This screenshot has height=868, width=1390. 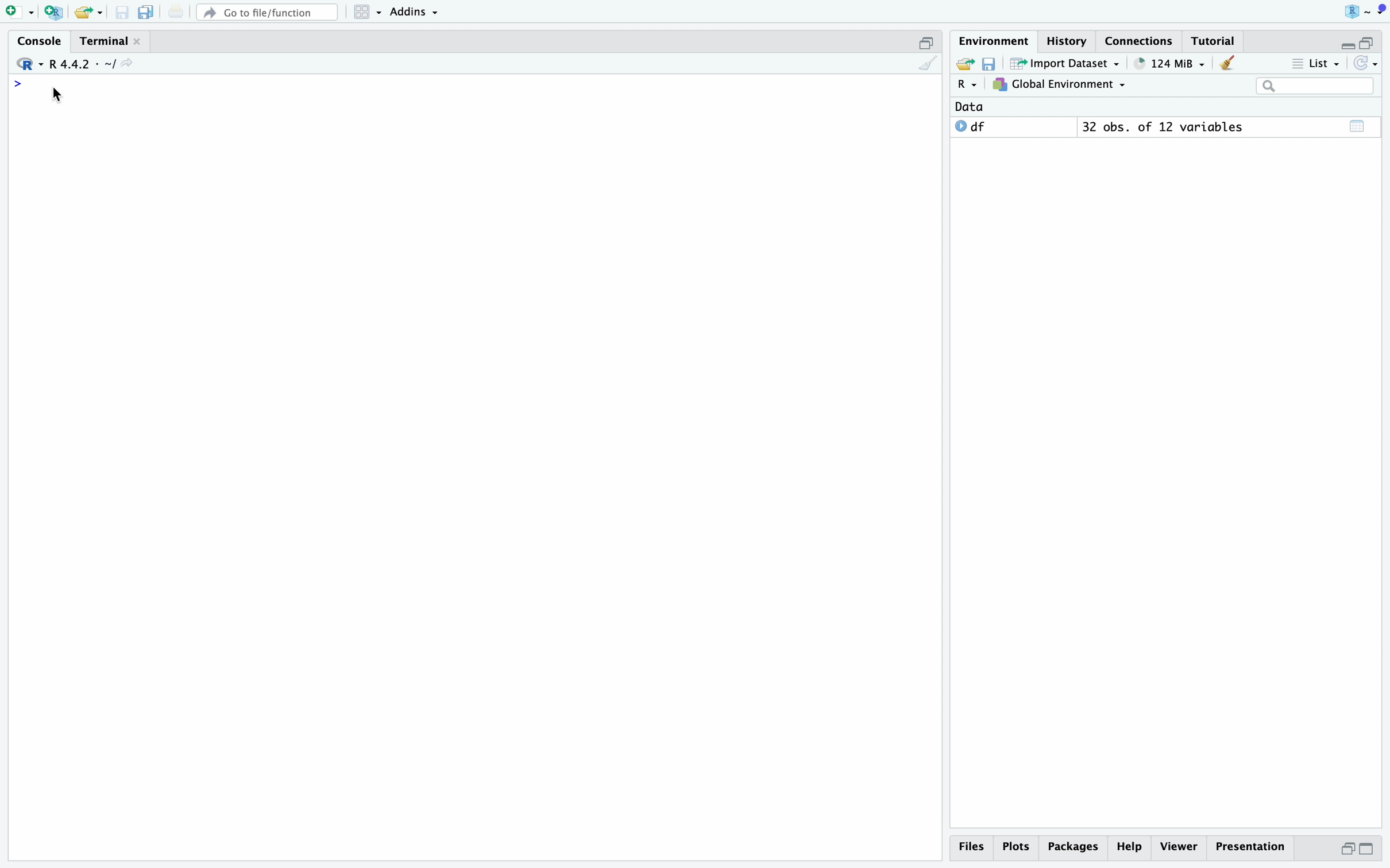 I want to click on grid, so click(x=369, y=13).